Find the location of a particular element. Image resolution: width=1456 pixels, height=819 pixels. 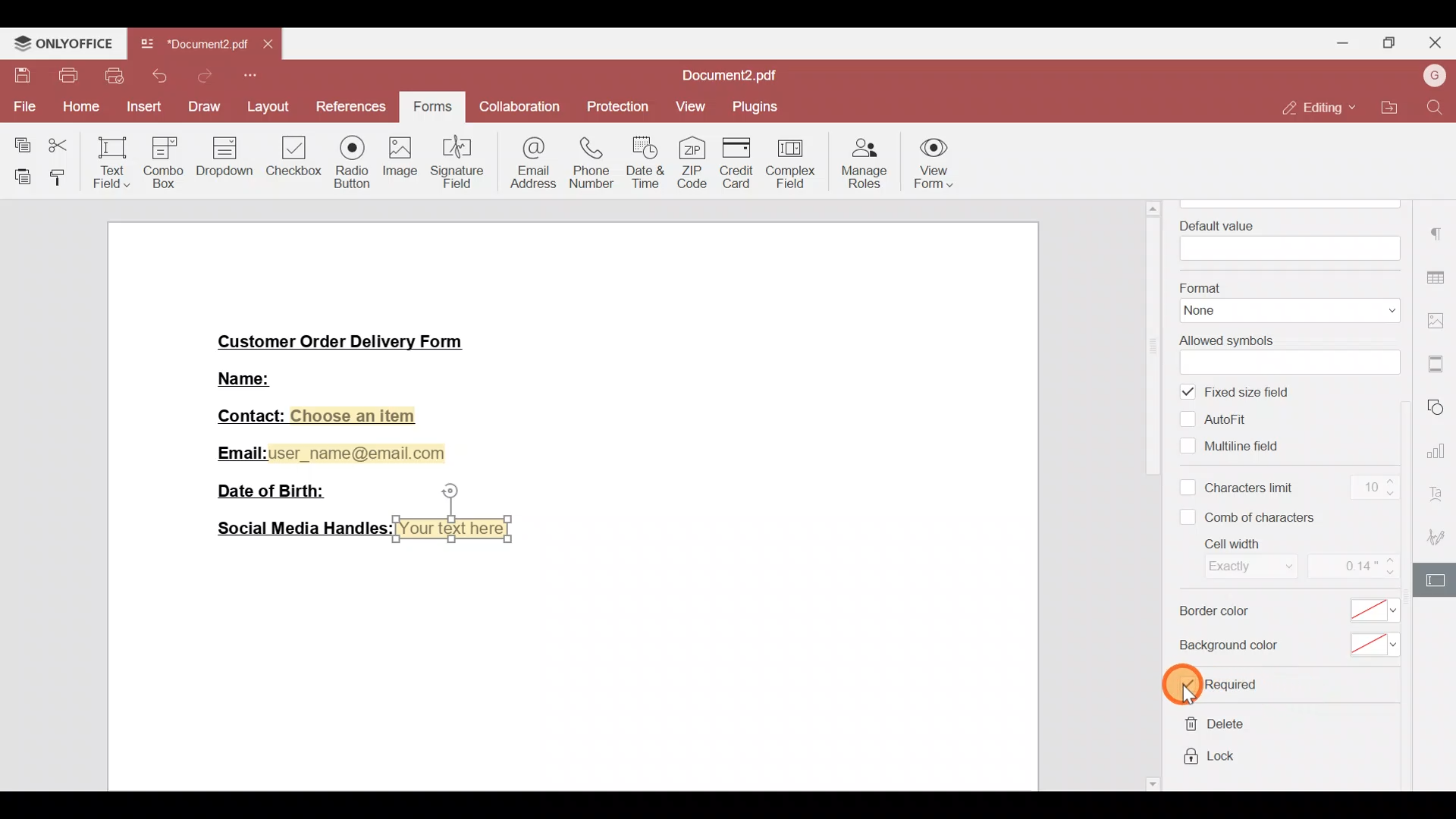

Your text here is located at coordinates (457, 529).